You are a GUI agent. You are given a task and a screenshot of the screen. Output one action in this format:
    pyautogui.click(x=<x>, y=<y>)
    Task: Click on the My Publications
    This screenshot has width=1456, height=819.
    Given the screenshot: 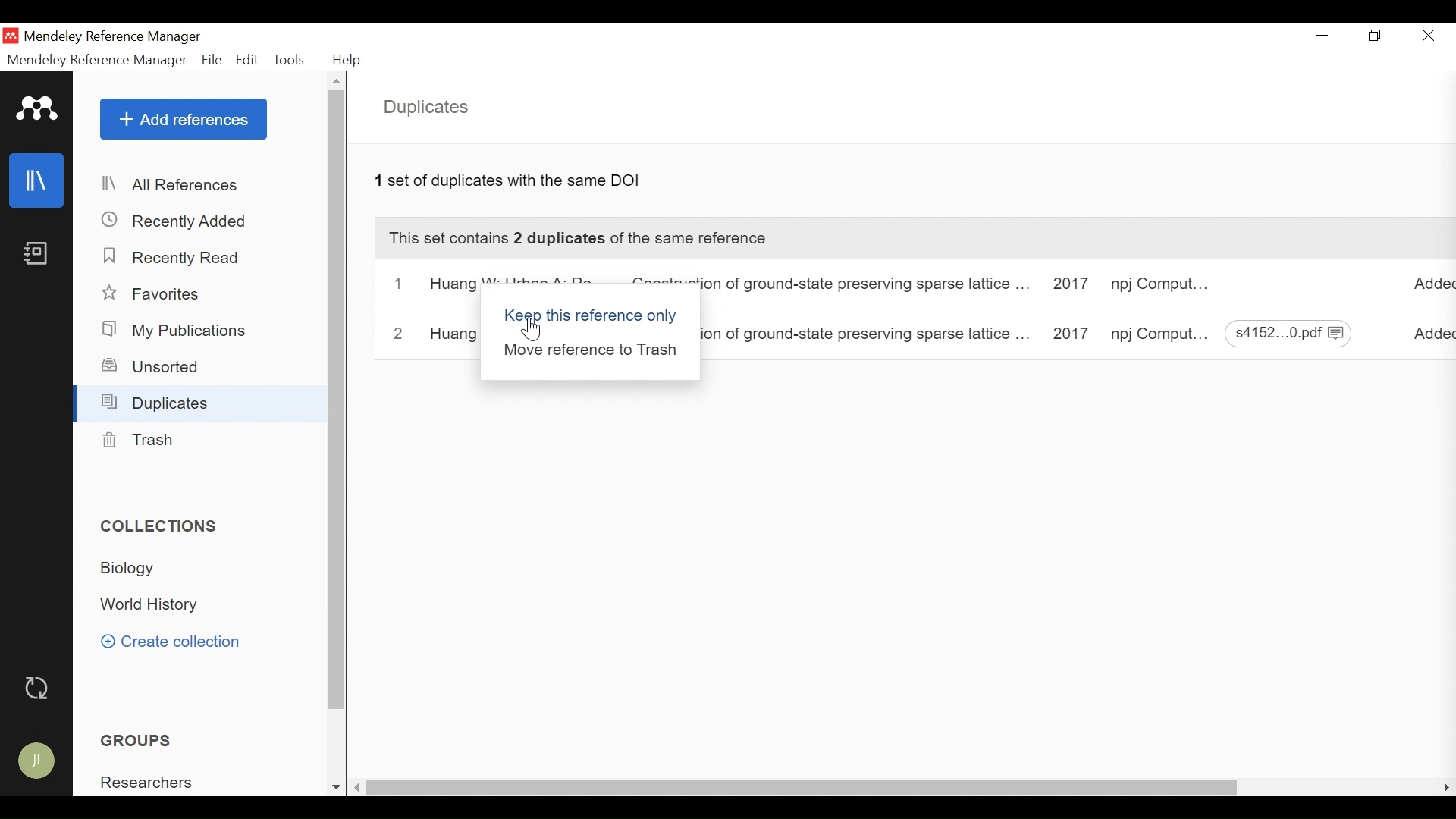 What is the action you would take?
    pyautogui.click(x=174, y=331)
    